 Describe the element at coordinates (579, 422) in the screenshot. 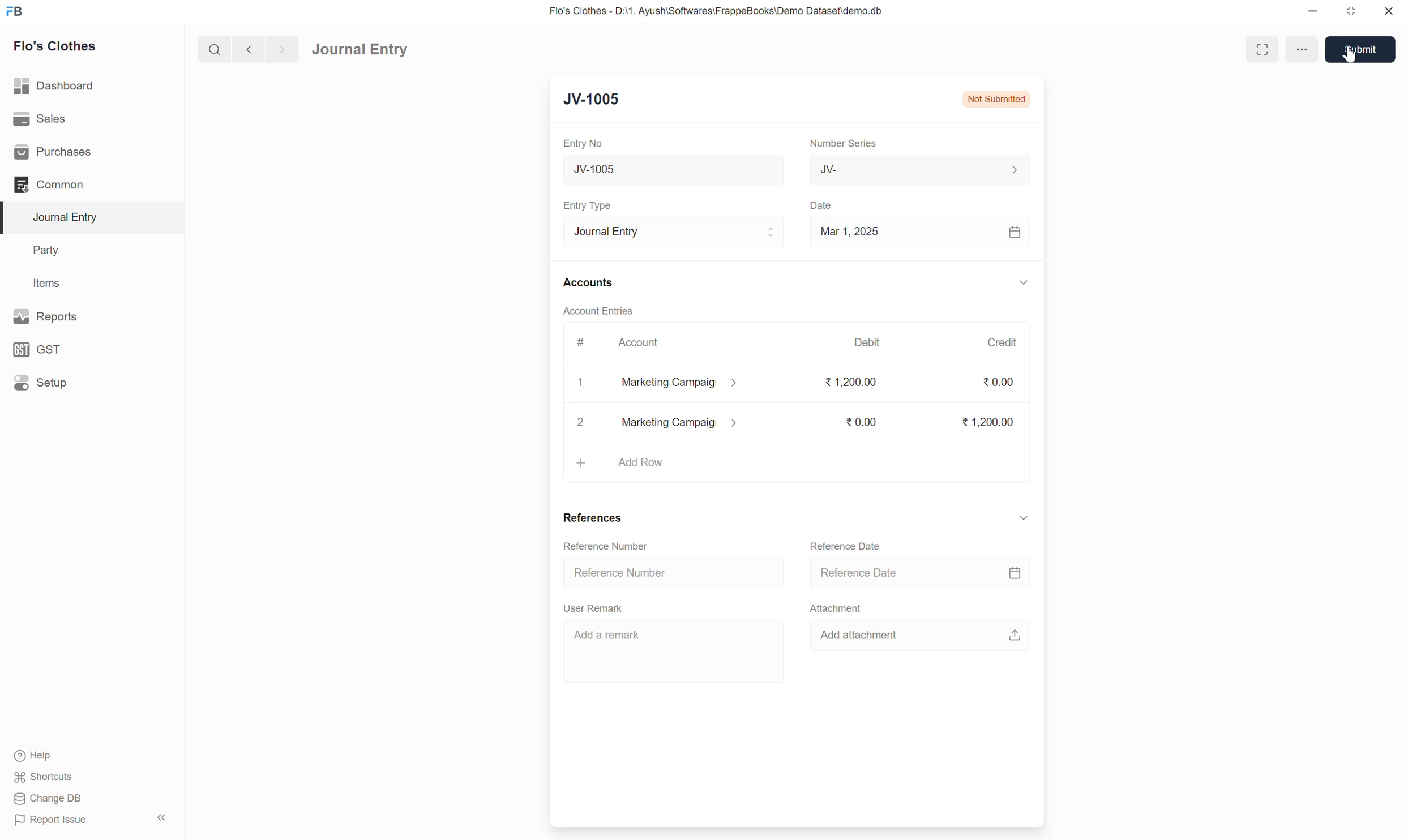

I see `2` at that location.